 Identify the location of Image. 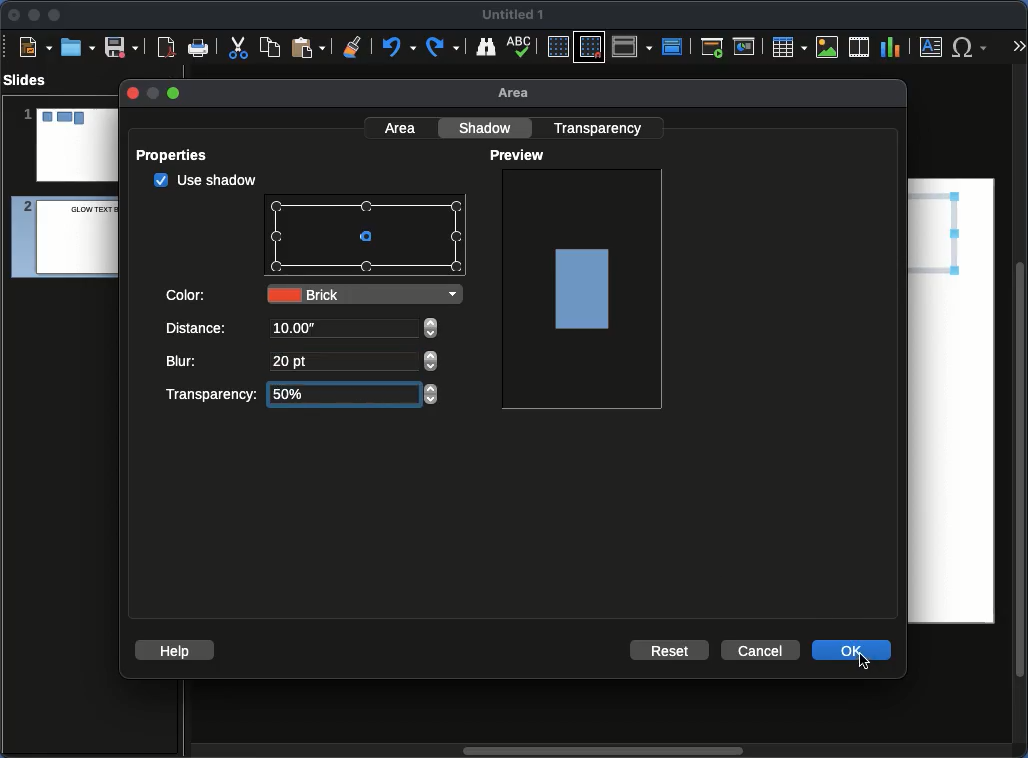
(584, 287).